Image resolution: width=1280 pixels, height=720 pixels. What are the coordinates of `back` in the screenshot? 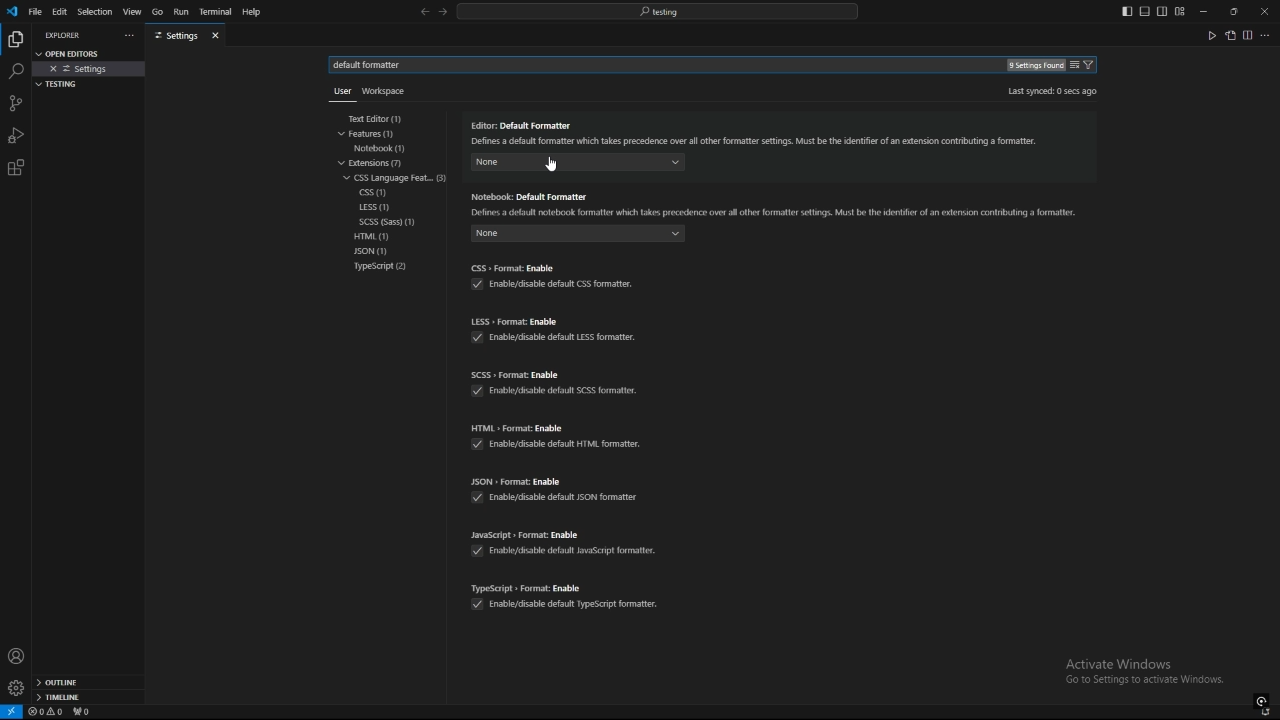 It's located at (424, 12).